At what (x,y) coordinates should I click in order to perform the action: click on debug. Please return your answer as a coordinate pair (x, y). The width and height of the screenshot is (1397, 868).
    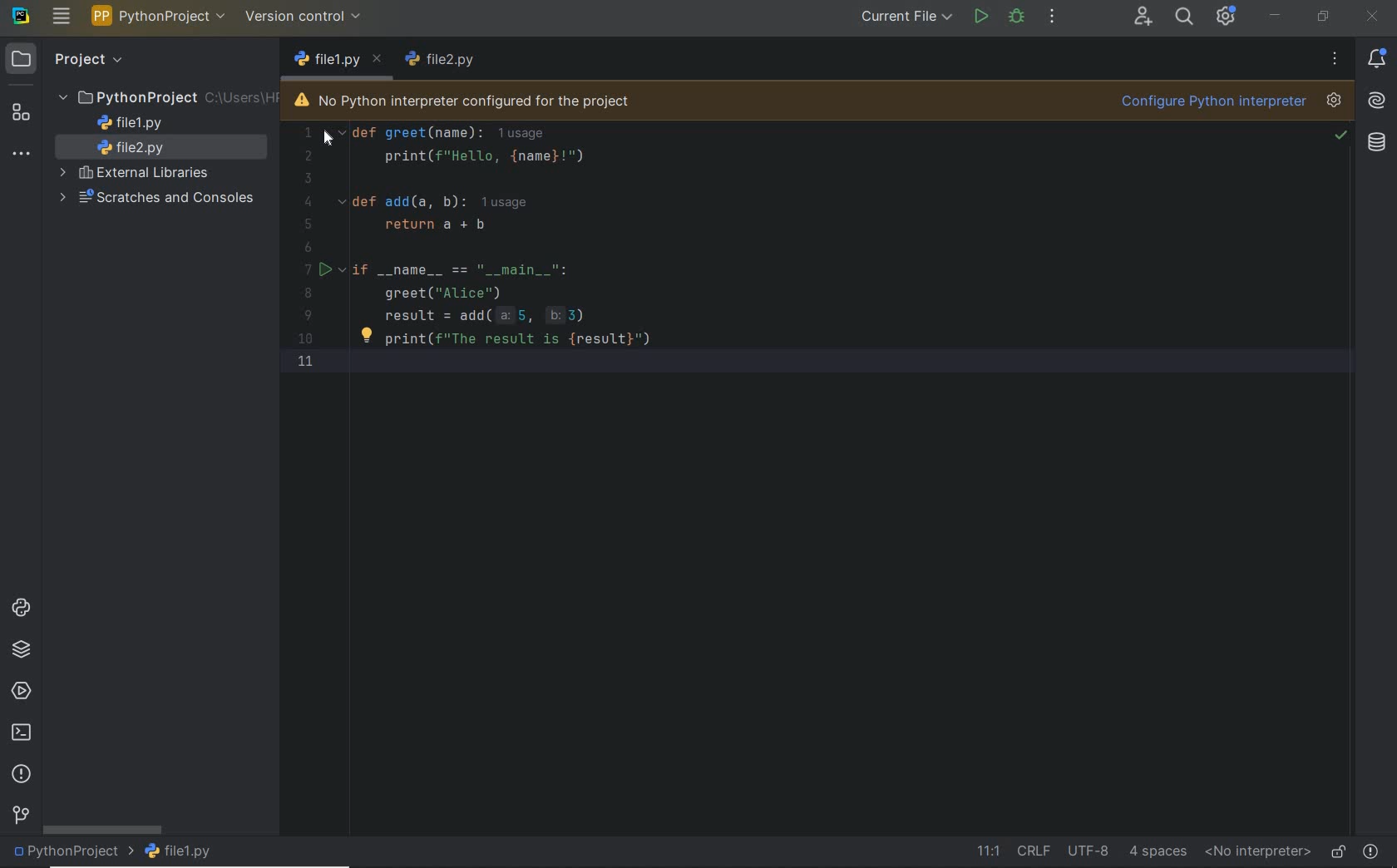
    Looking at the image, I should click on (1016, 19).